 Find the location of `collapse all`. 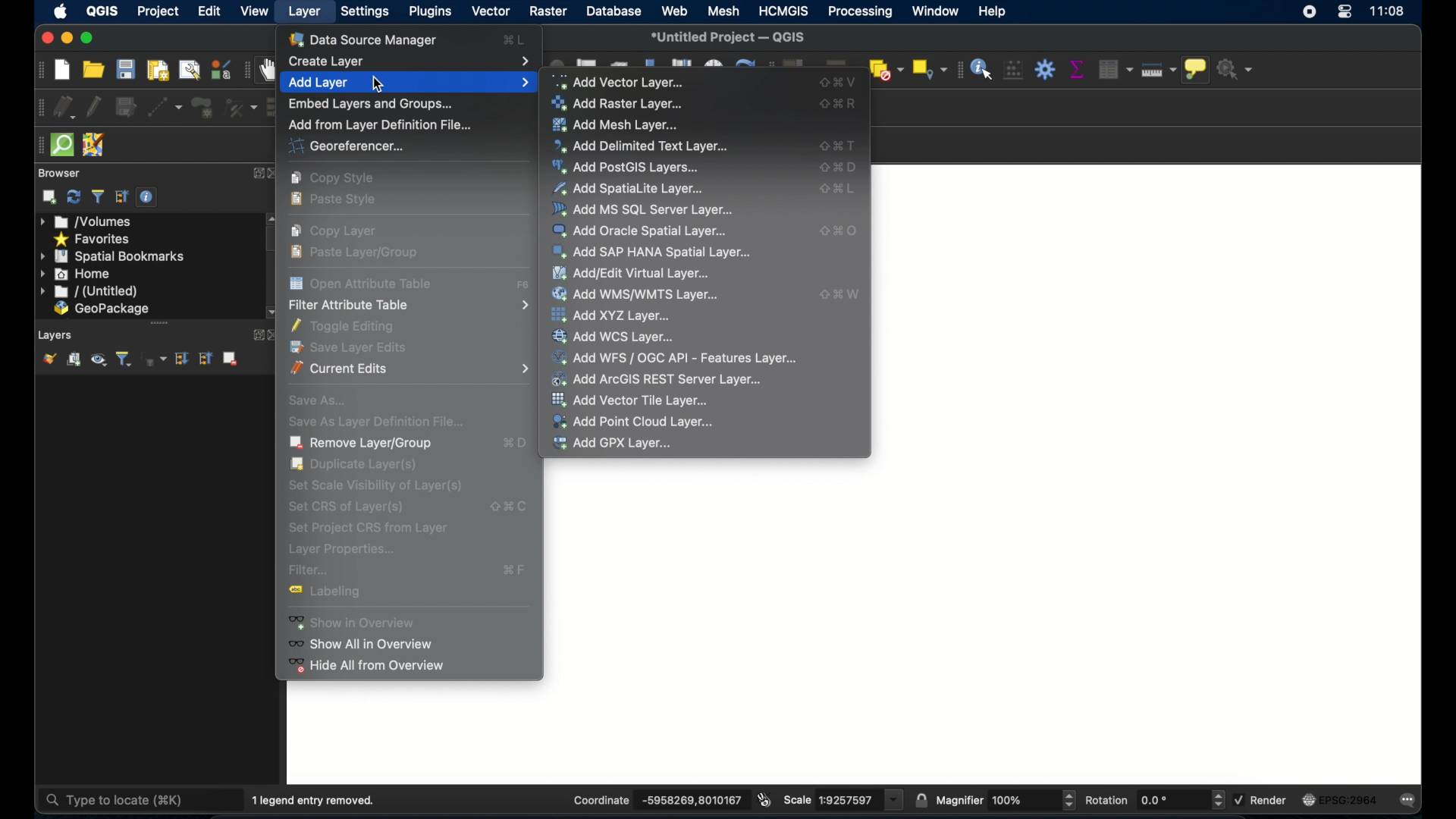

collapse all is located at coordinates (208, 358).